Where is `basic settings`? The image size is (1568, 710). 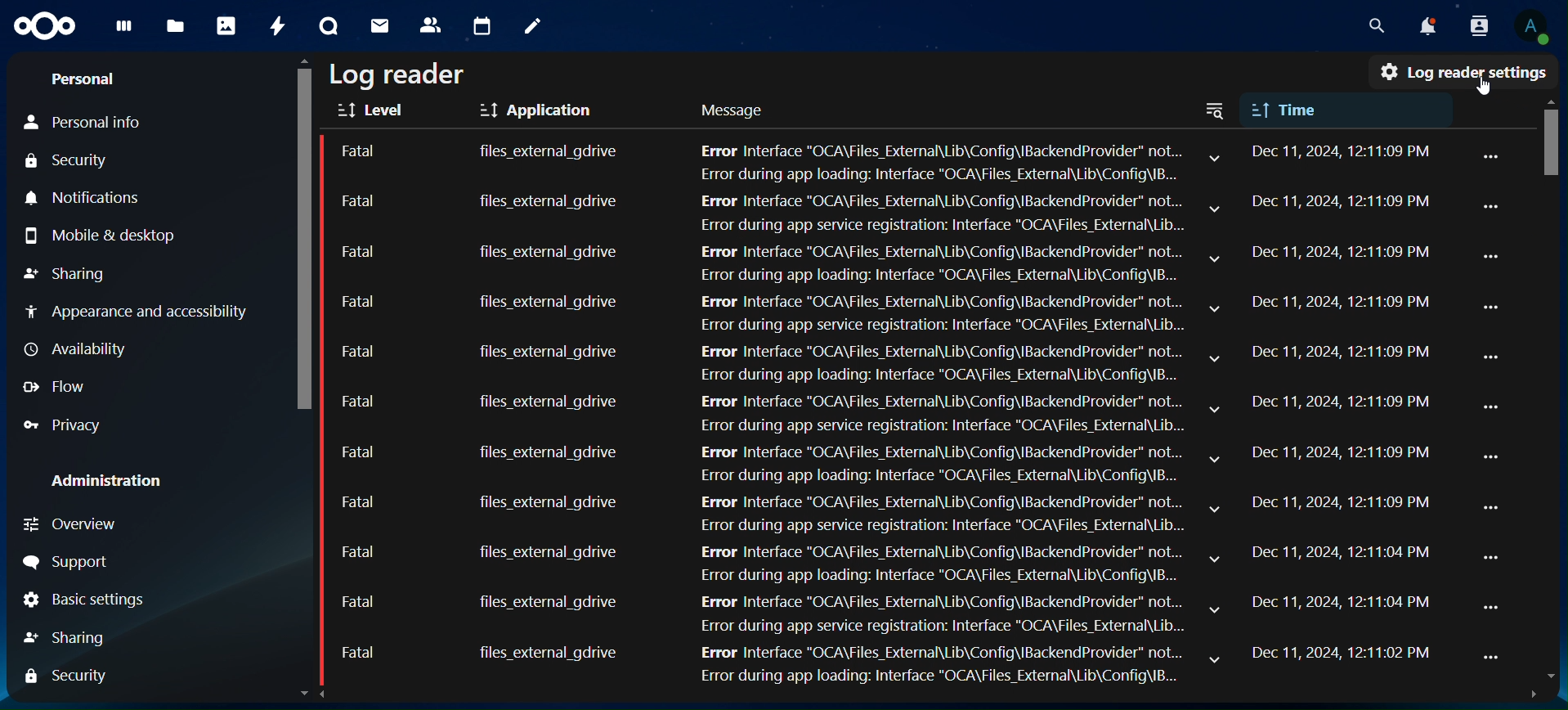
basic settings is located at coordinates (85, 600).